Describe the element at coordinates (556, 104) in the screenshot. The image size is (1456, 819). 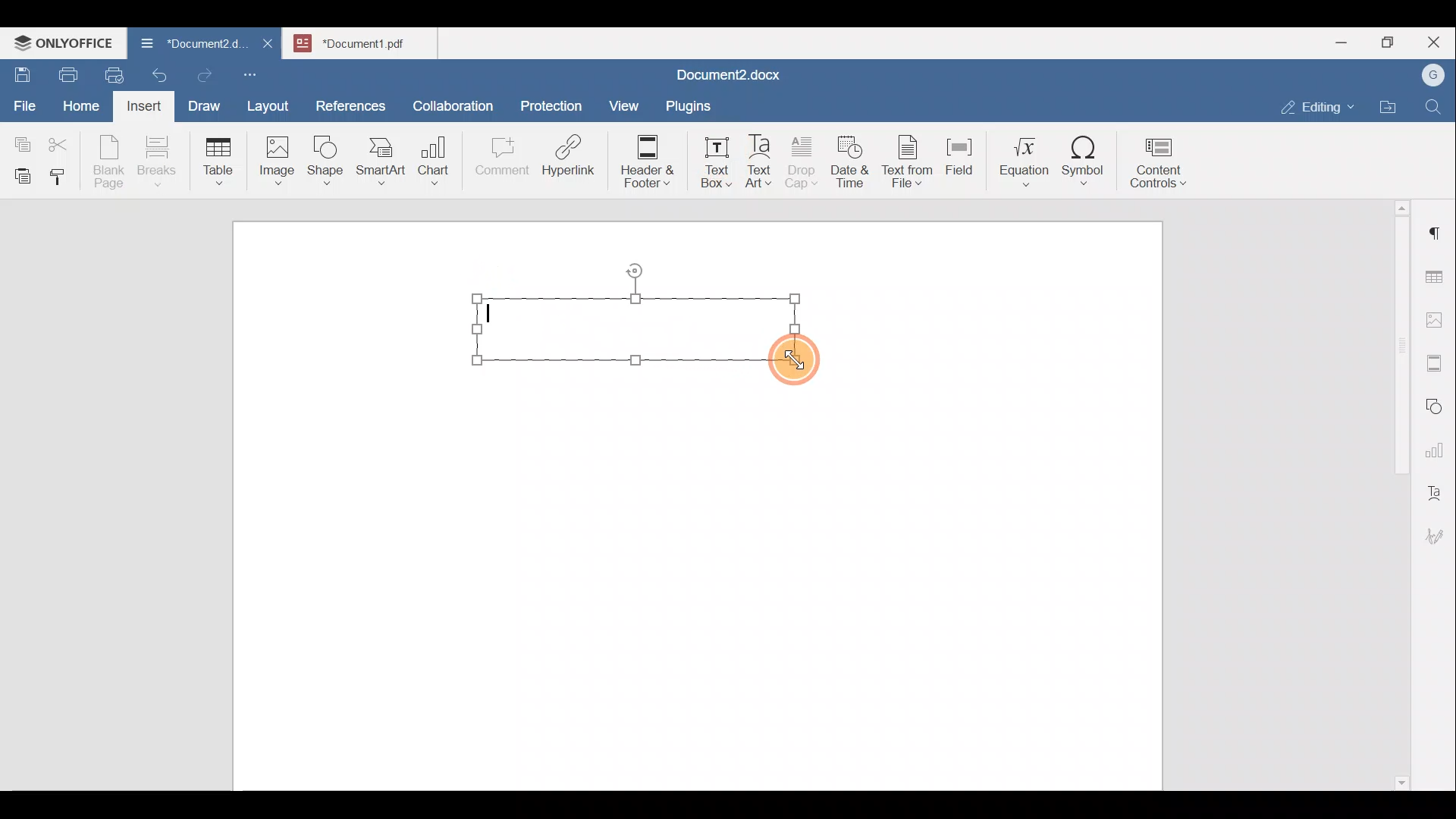
I see `Protection` at that location.